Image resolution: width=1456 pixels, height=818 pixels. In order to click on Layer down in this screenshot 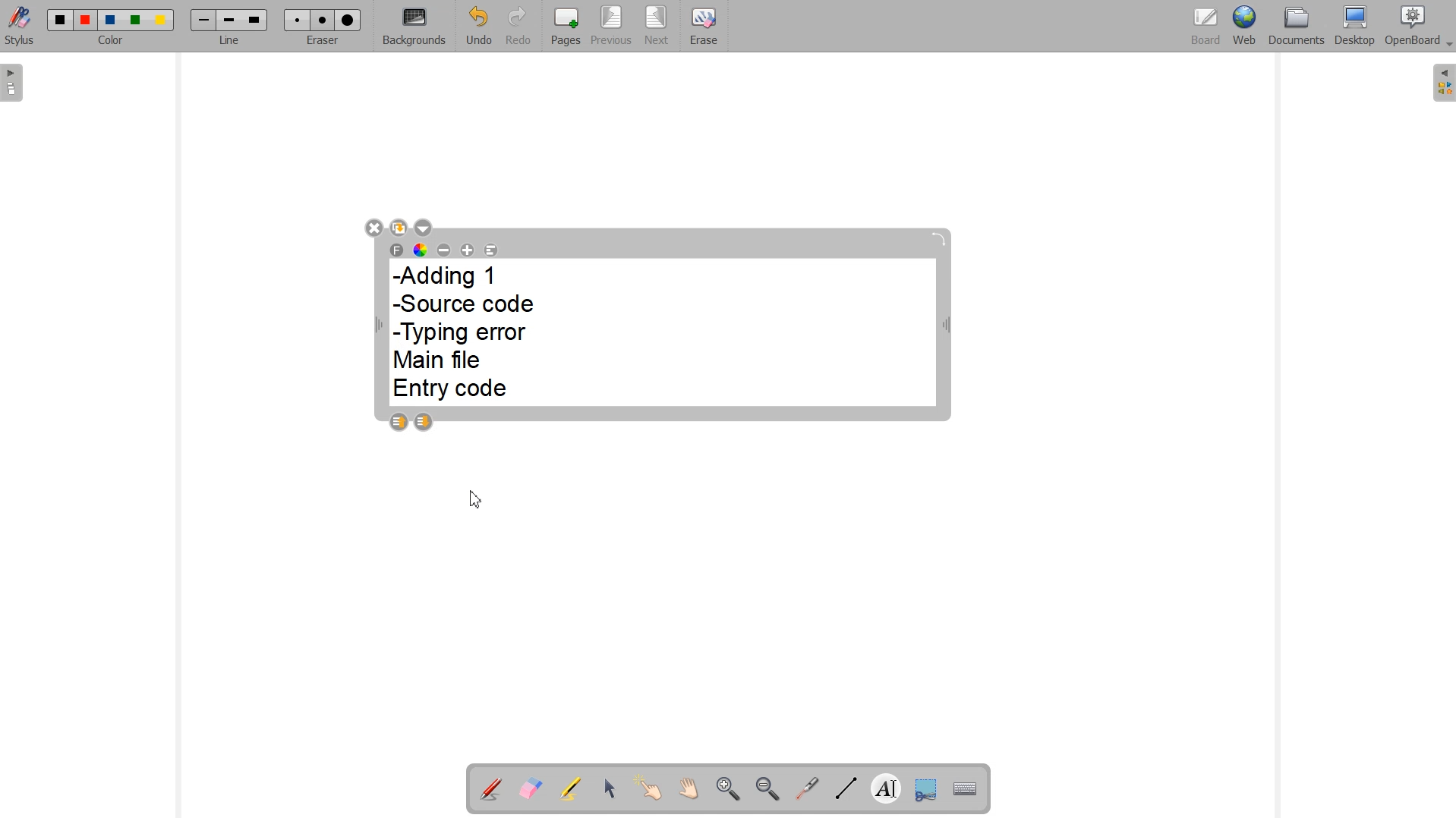, I will do `click(424, 422)`.